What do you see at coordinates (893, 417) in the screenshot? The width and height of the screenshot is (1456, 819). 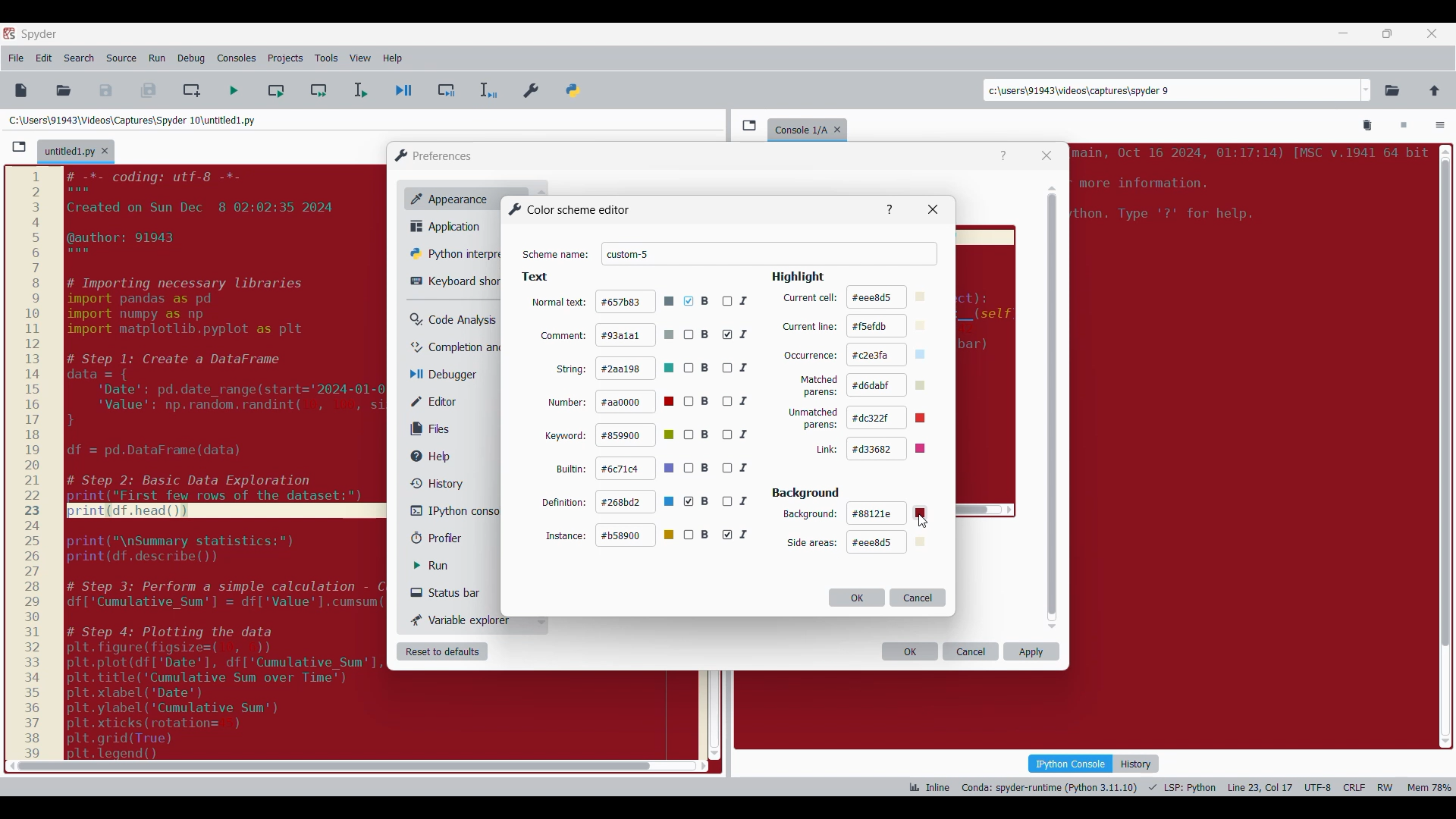 I see `#dc322f` at bounding box center [893, 417].